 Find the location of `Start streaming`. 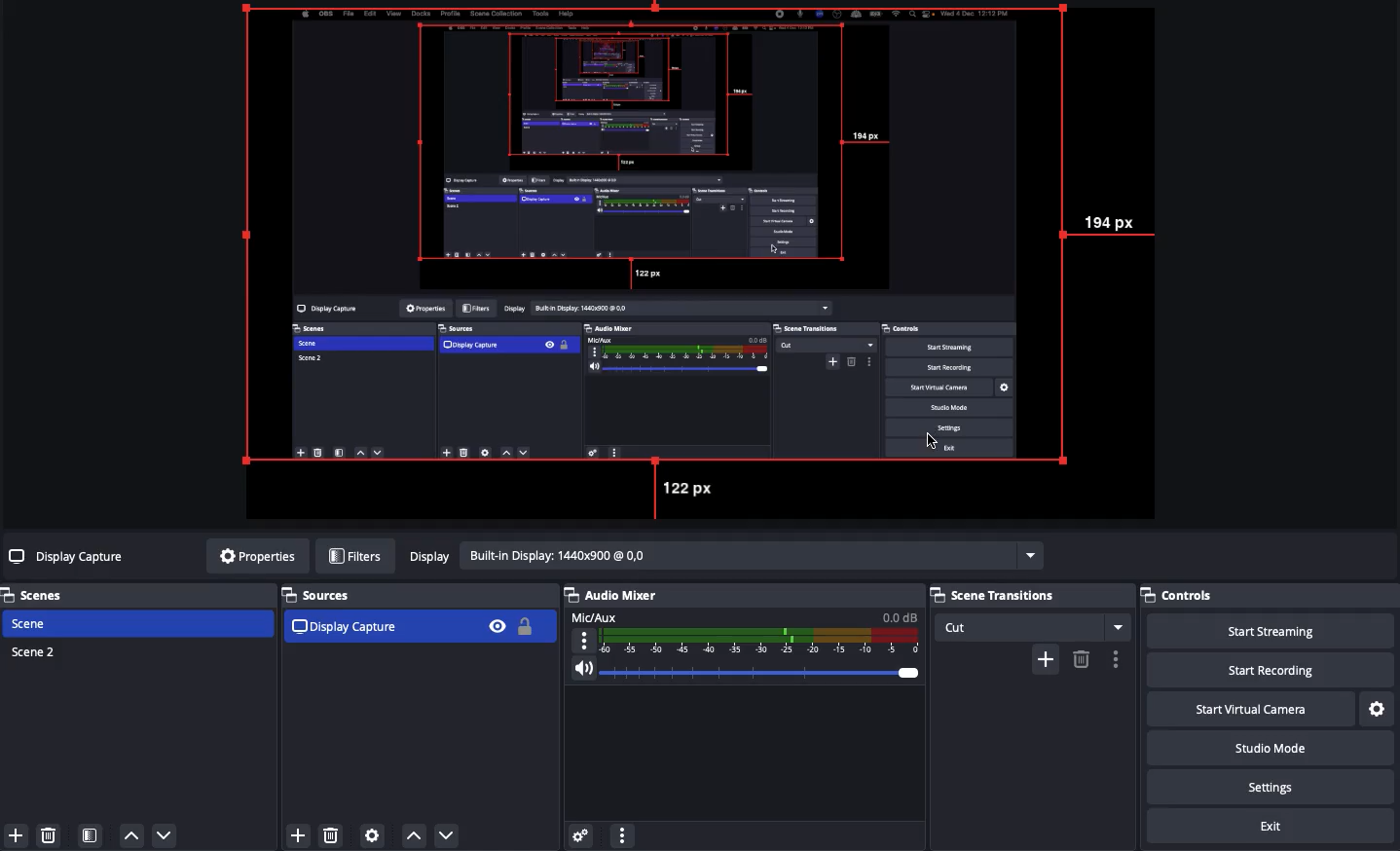

Start streaming is located at coordinates (1286, 631).